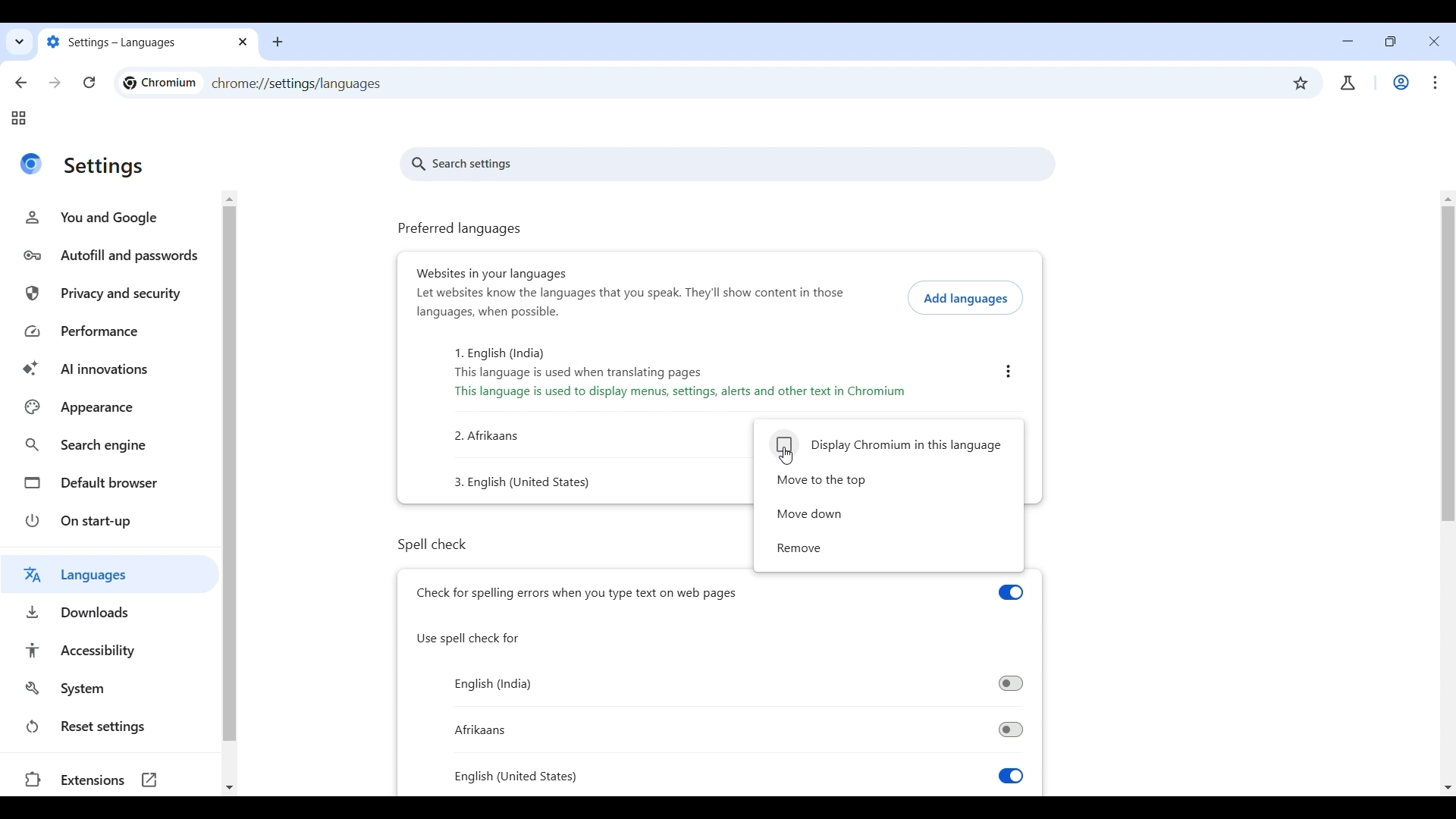  Describe the element at coordinates (631, 302) in the screenshot. I see `Website in your languages description ` at that location.